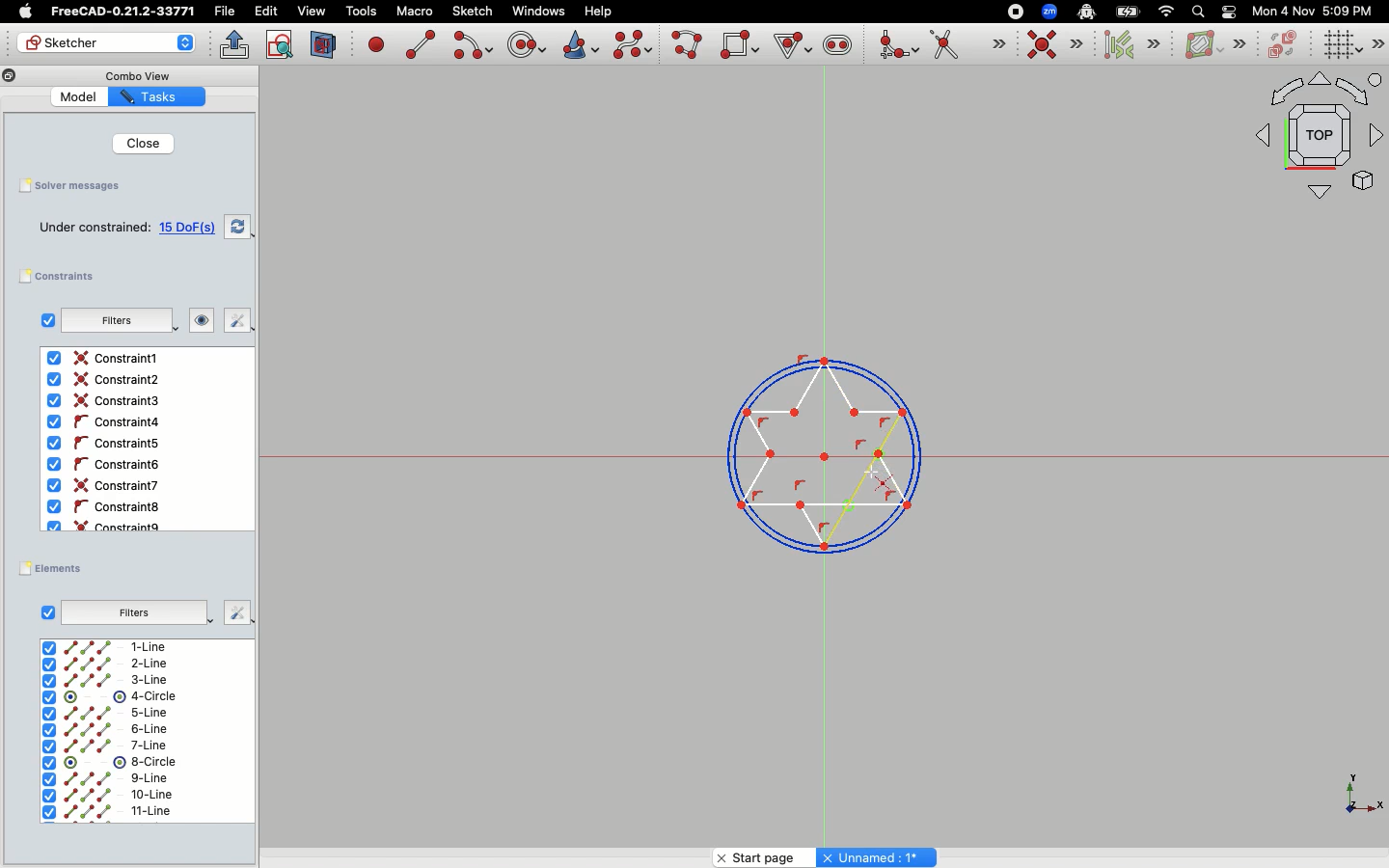 Image resolution: width=1389 pixels, height=868 pixels. What do you see at coordinates (101, 422) in the screenshot?
I see `Constraint4` at bounding box center [101, 422].